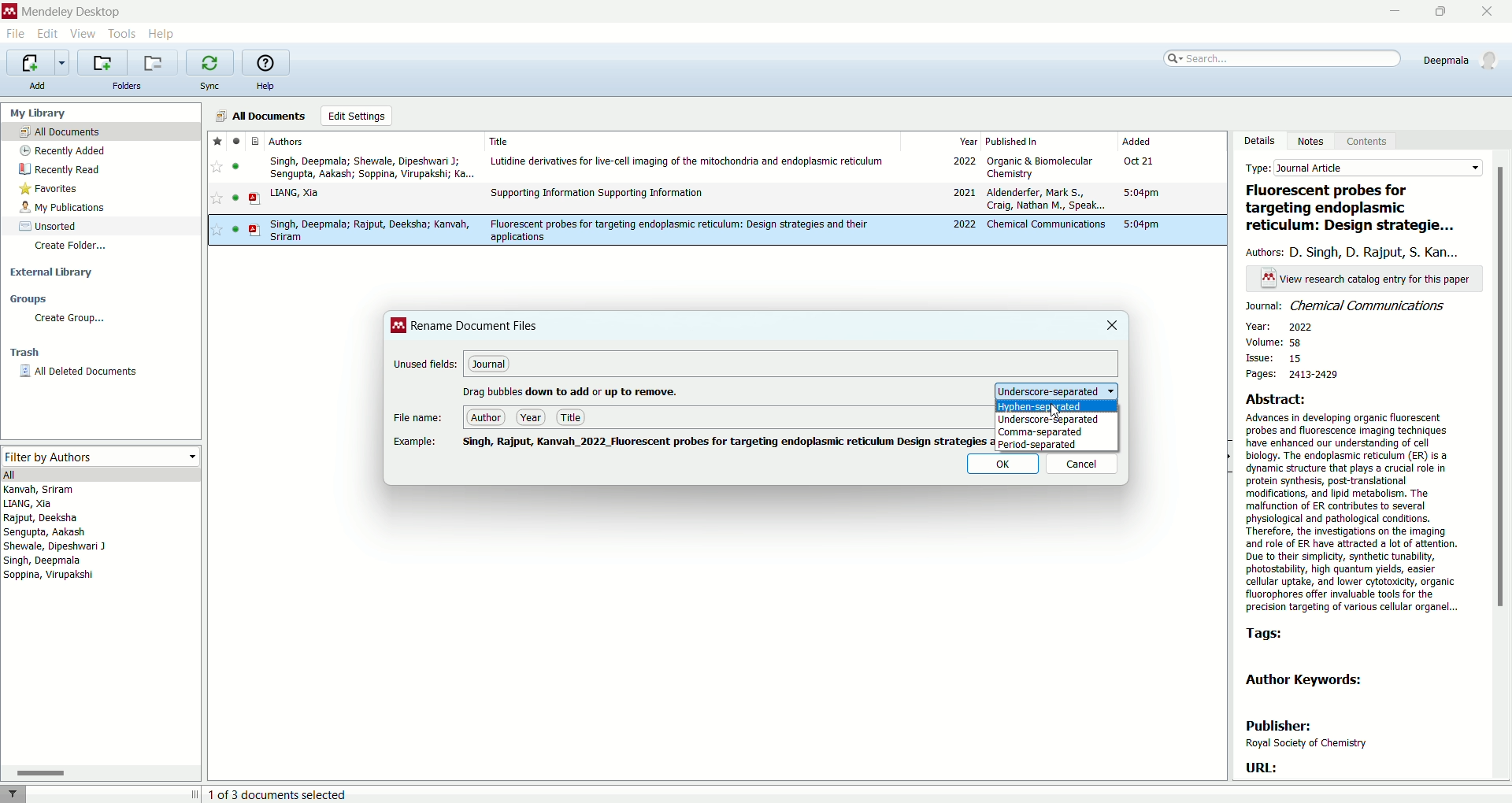 The image size is (1512, 803). I want to click on read/unread, so click(235, 166).